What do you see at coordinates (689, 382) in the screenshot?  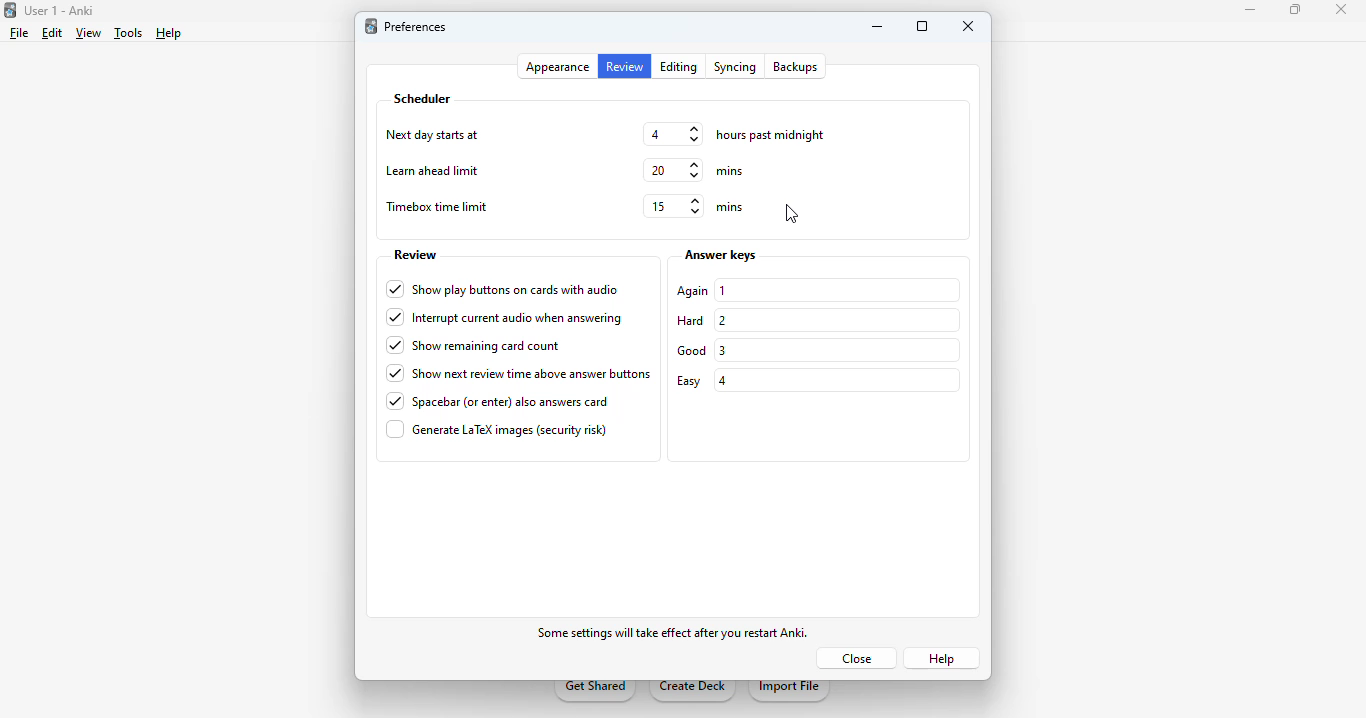 I see `easy` at bounding box center [689, 382].